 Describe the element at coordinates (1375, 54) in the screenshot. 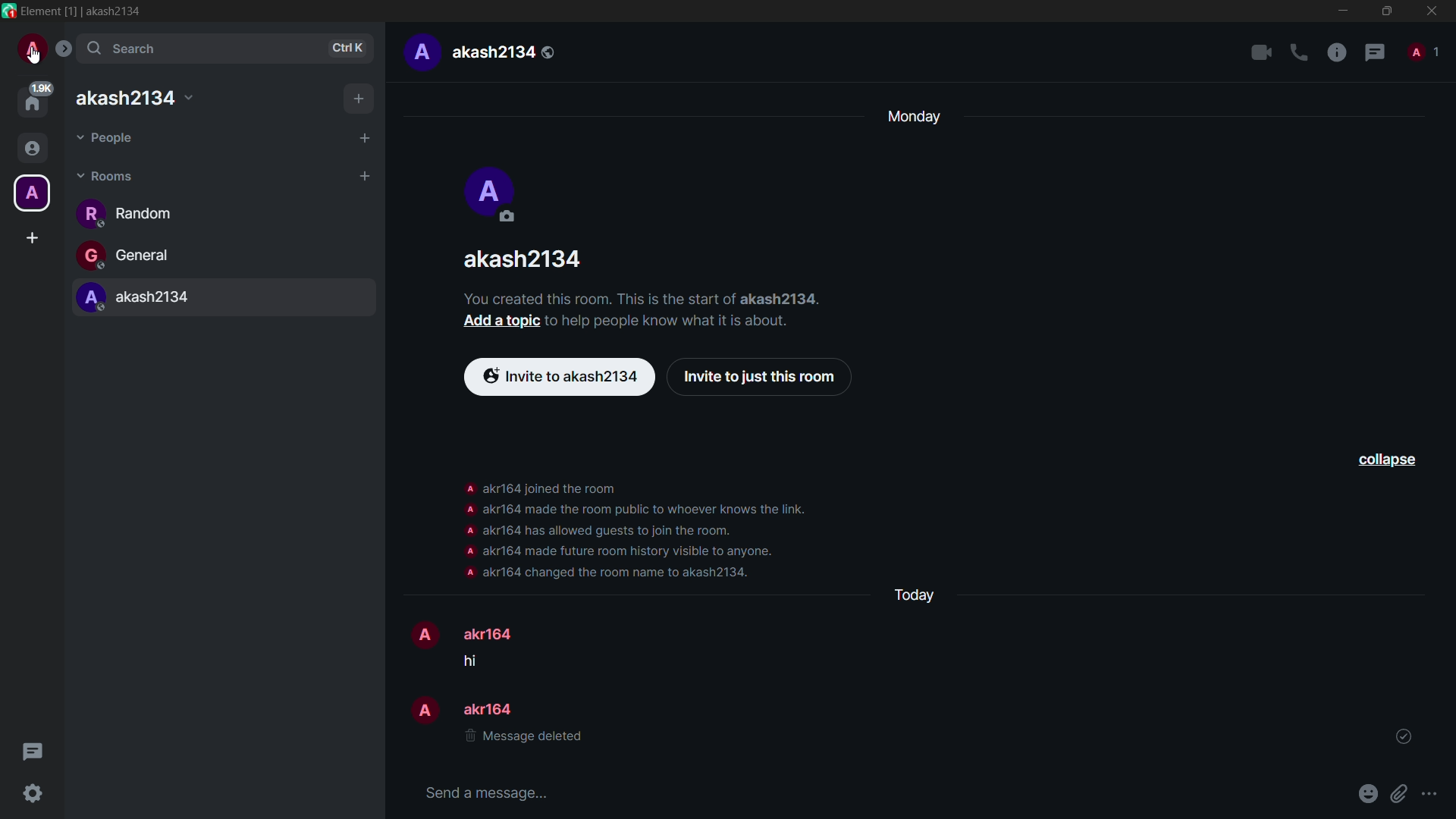

I see `threads` at that location.